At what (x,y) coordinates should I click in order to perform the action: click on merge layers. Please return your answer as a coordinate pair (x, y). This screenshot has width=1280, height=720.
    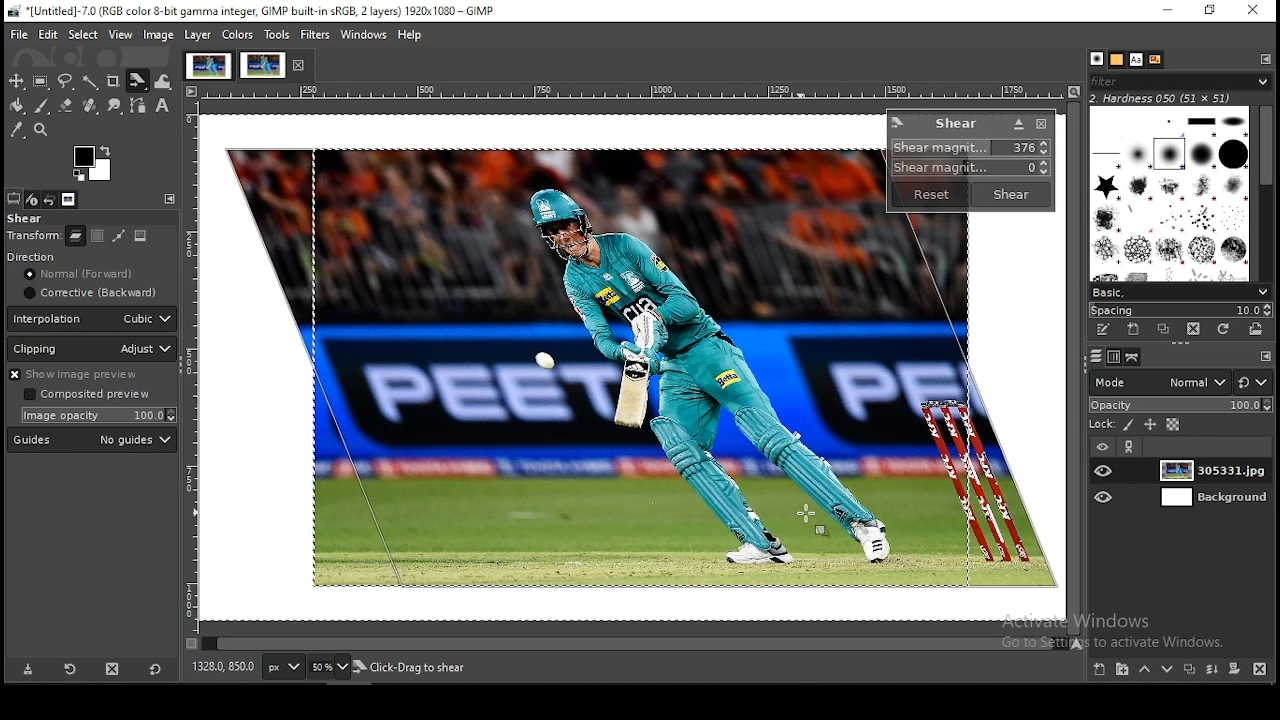
    Looking at the image, I should click on (1211, 670).